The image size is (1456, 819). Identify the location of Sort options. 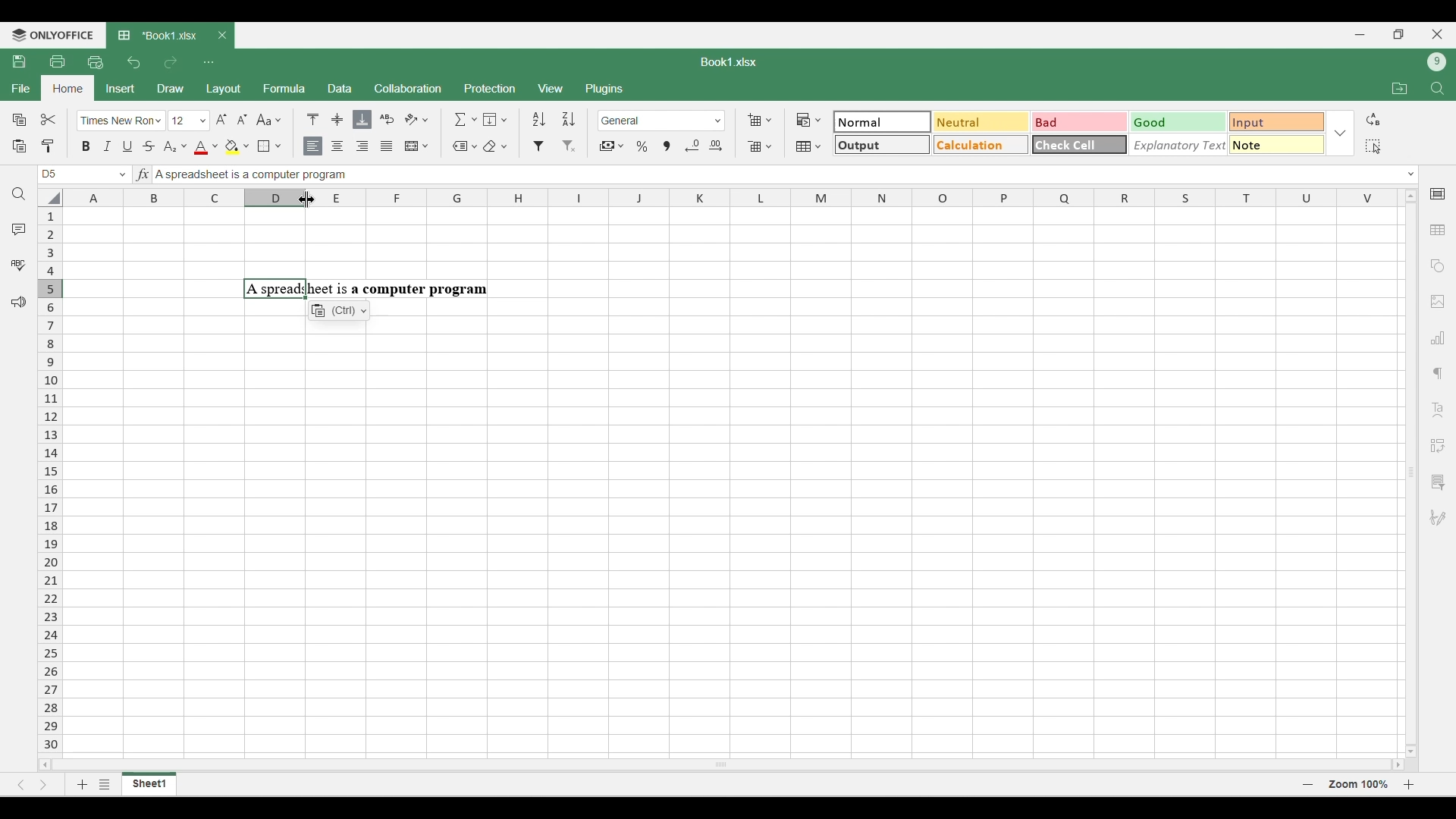
(554, 119).